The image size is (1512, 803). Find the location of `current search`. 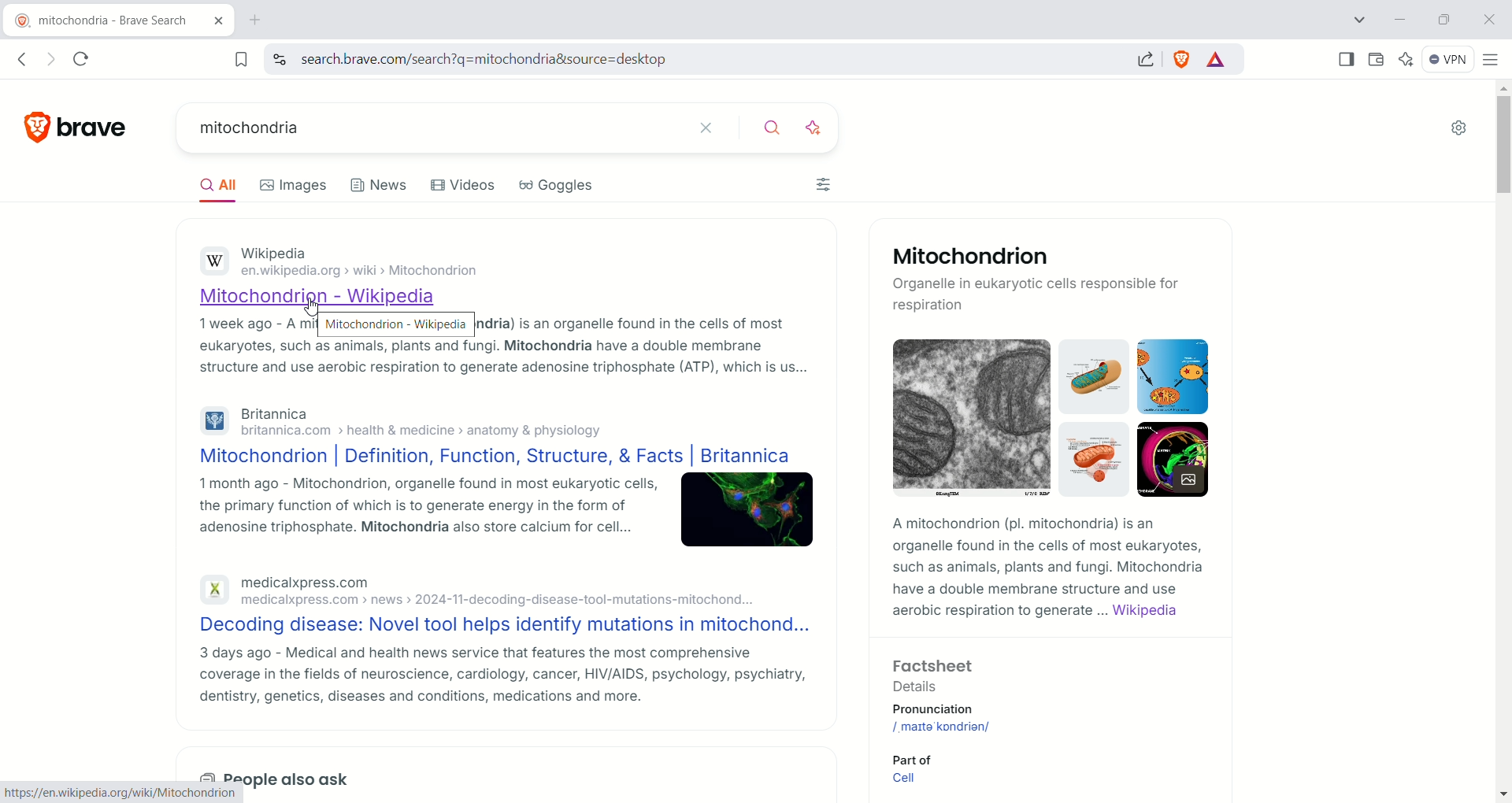

current search is located at coordinates (417, 128).